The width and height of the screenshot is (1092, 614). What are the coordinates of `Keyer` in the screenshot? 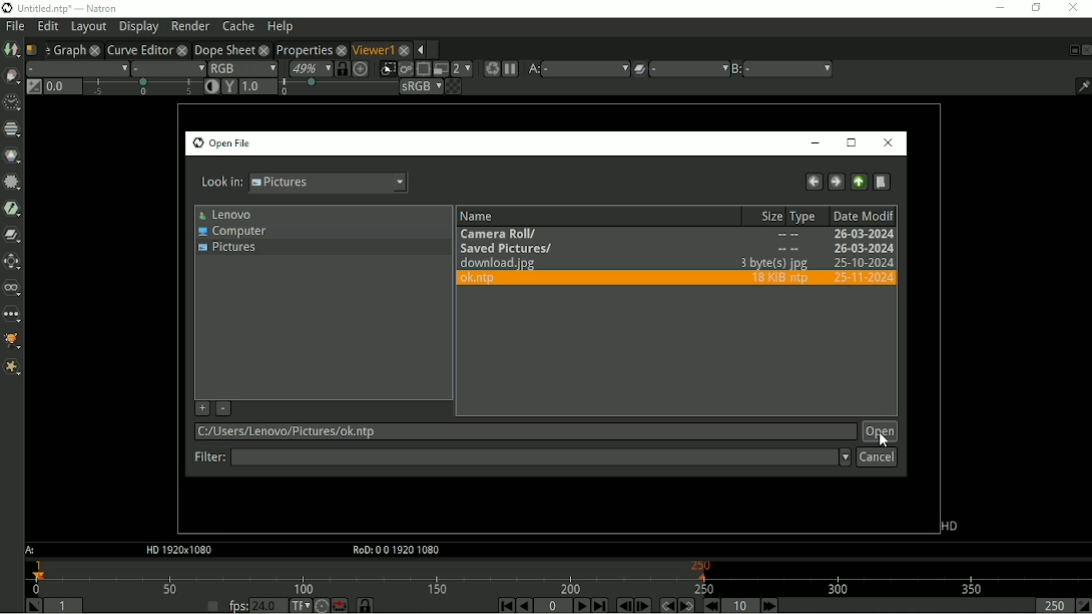 It's located at (12, 208).